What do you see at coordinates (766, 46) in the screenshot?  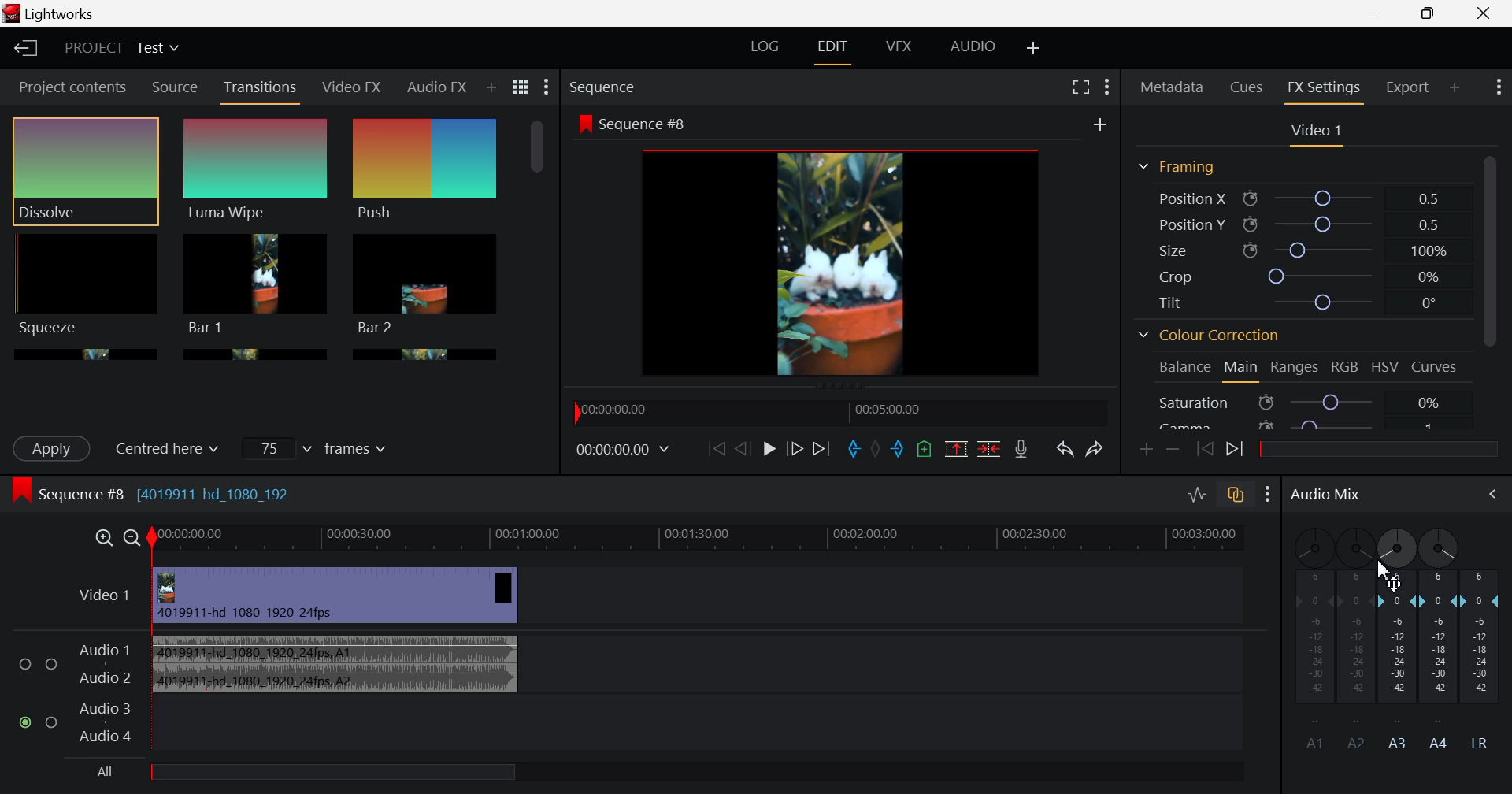 I see `LOG Layout` at bounding box center [766, 46].